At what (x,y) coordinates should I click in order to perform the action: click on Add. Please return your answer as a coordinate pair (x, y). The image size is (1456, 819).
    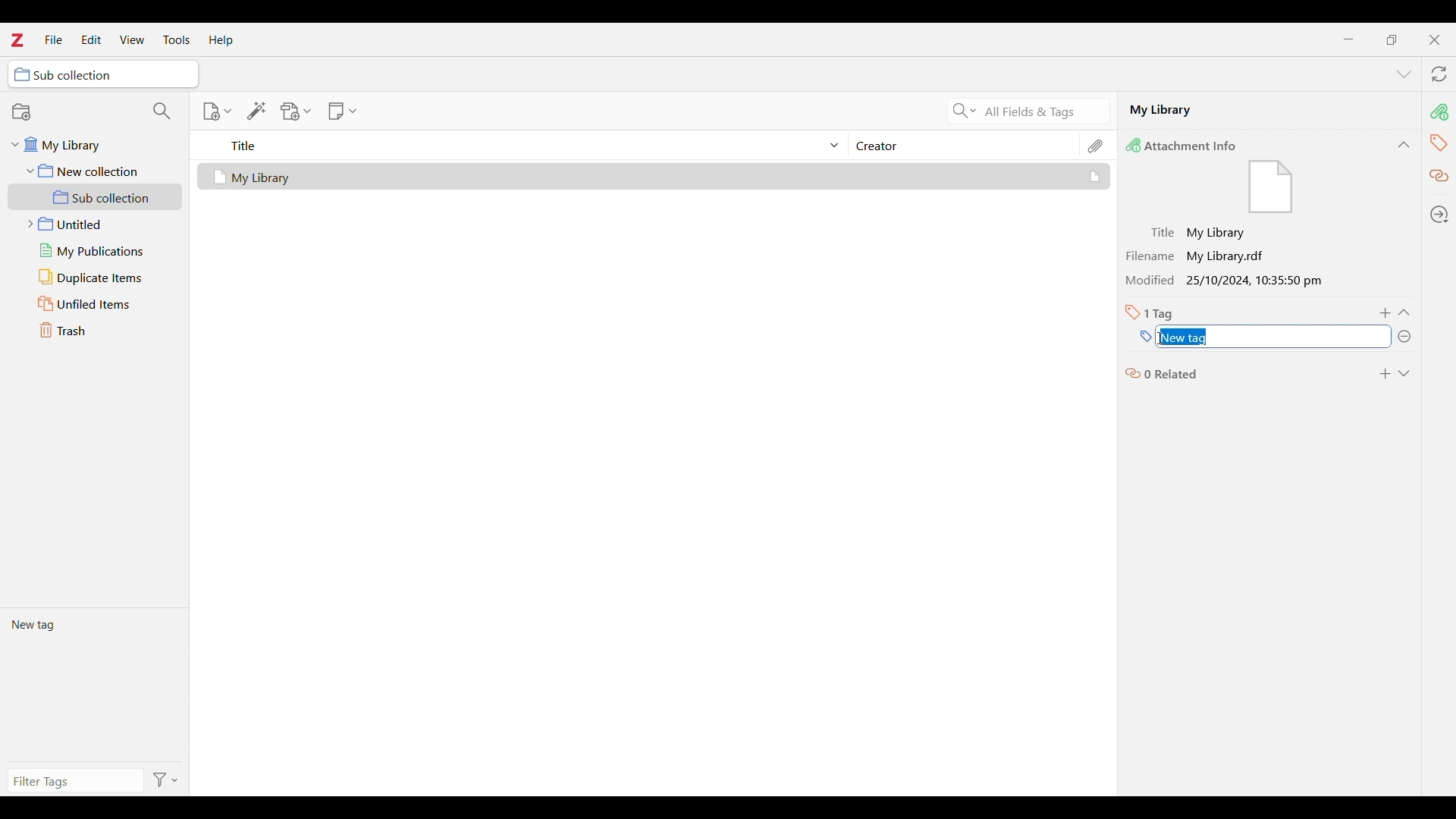
    Looking at the image, I should click on (1385, 374).